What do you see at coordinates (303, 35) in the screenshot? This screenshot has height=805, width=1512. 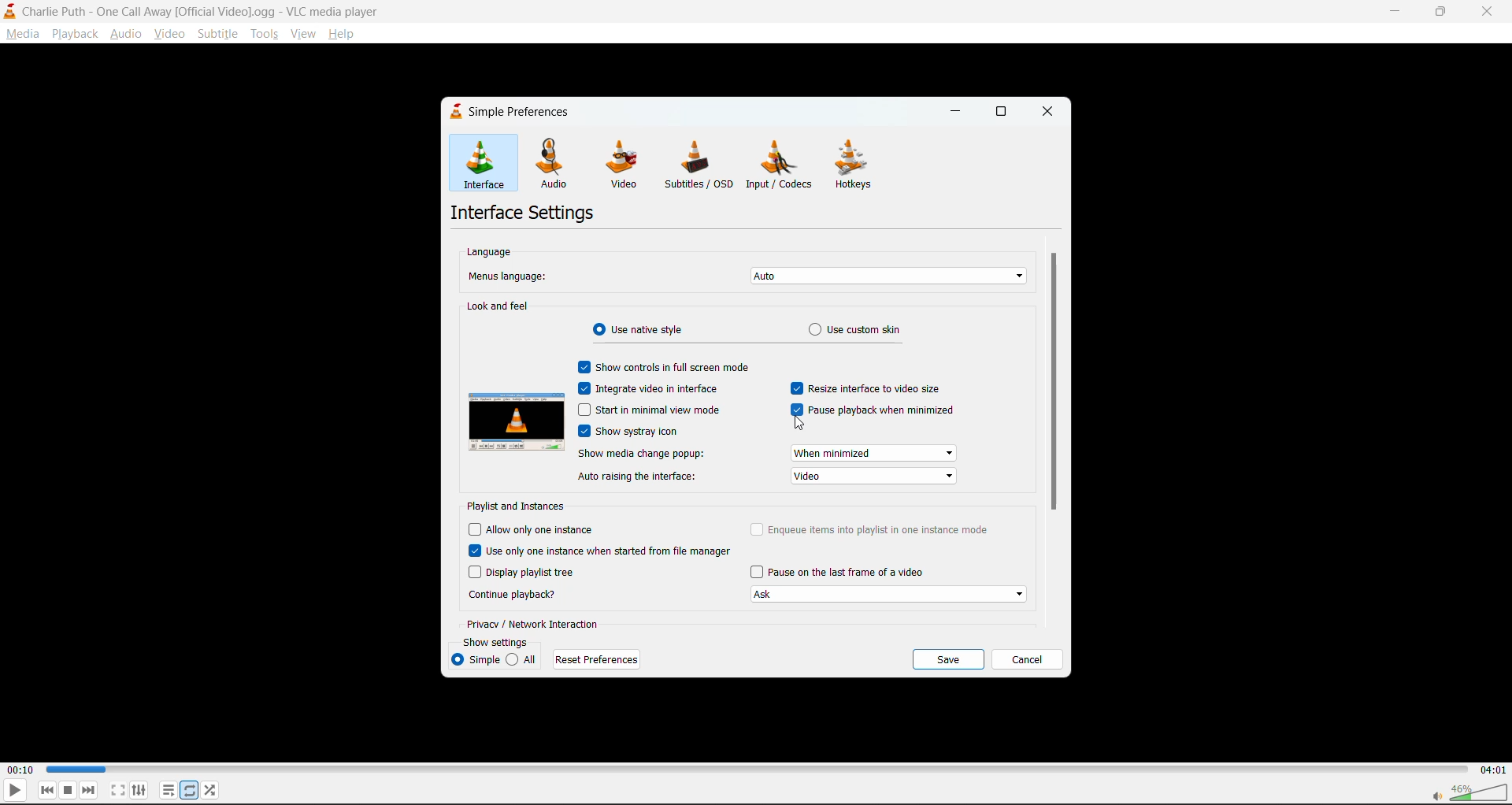 I see `view` at bounding box center [303, 35].